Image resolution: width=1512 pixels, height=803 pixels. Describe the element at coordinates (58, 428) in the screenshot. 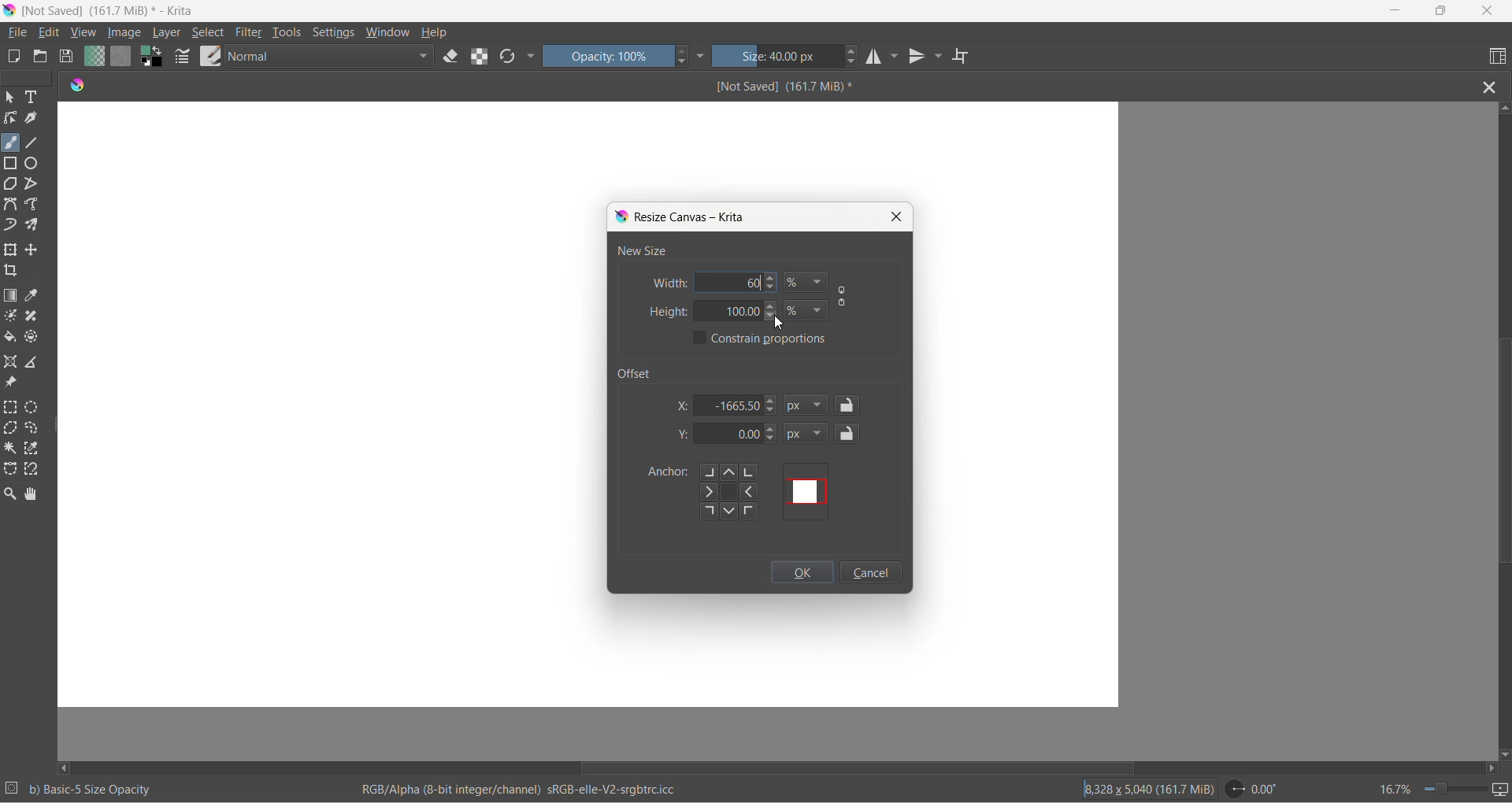

I see `resize` at that location.